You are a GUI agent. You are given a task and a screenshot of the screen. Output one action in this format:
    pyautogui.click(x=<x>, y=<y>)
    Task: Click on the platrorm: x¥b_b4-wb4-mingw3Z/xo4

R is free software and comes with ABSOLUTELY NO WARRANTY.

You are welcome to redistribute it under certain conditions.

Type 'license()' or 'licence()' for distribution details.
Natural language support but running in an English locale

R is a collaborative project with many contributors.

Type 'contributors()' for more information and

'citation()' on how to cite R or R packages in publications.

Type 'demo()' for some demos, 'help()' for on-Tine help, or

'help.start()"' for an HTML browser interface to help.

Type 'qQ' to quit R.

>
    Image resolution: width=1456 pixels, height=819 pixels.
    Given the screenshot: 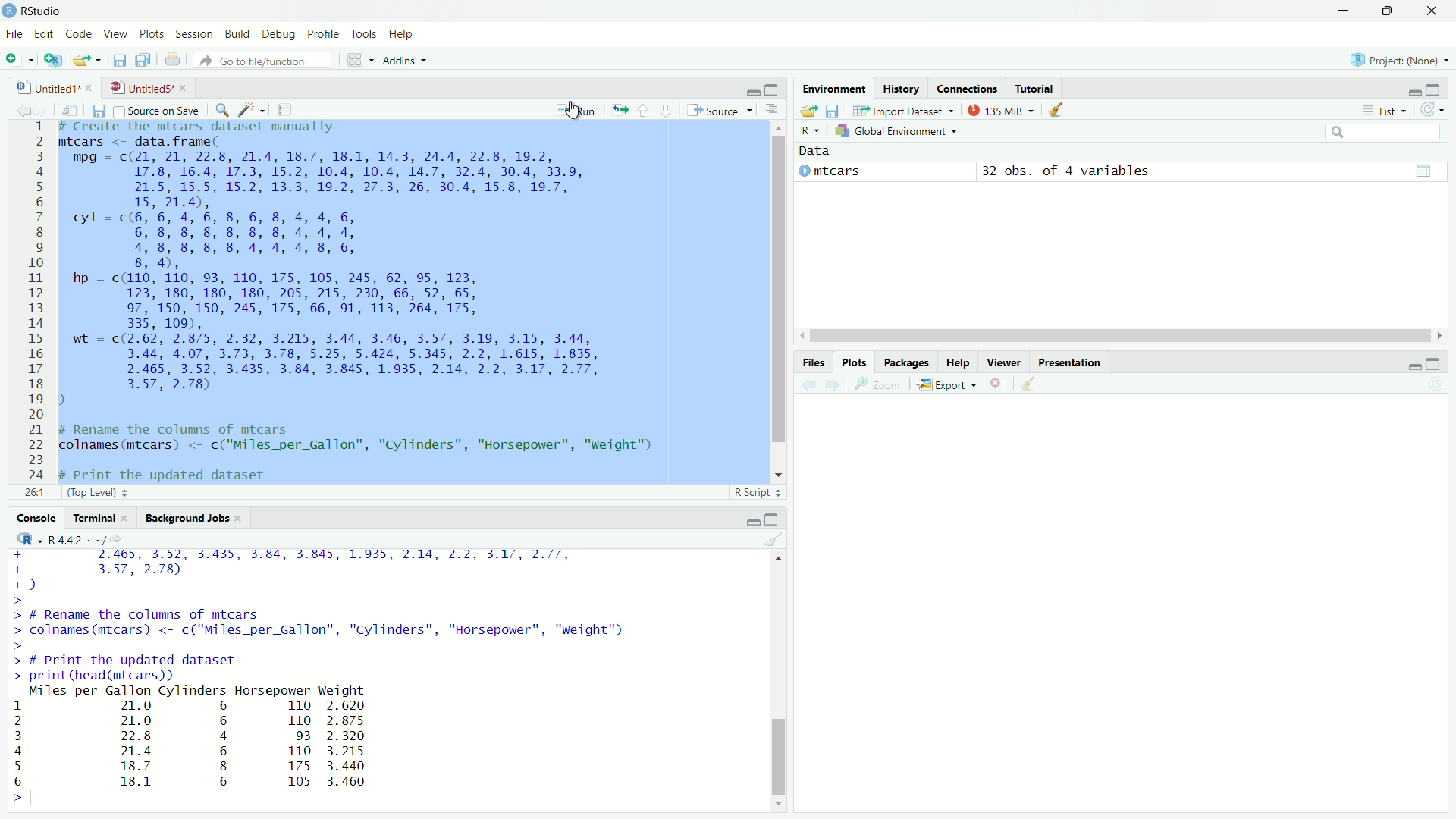 What is the action you would take?
    pyautogui.click(x=320, y=679)
    